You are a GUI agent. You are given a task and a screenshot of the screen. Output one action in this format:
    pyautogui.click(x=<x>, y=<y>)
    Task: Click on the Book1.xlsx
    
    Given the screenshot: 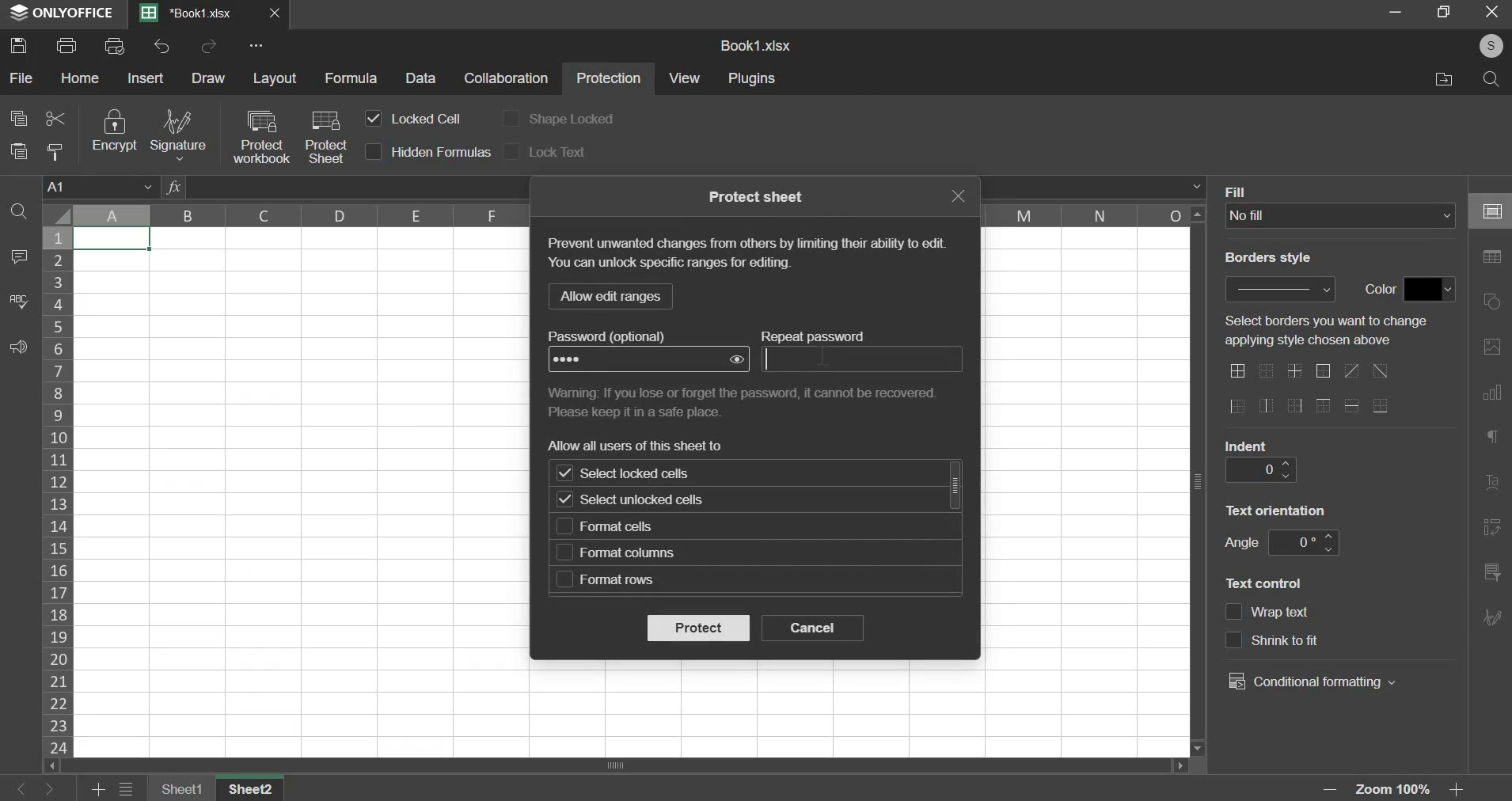 What is the action you would take?
    pyautogui.click(x=192, y=14)
    